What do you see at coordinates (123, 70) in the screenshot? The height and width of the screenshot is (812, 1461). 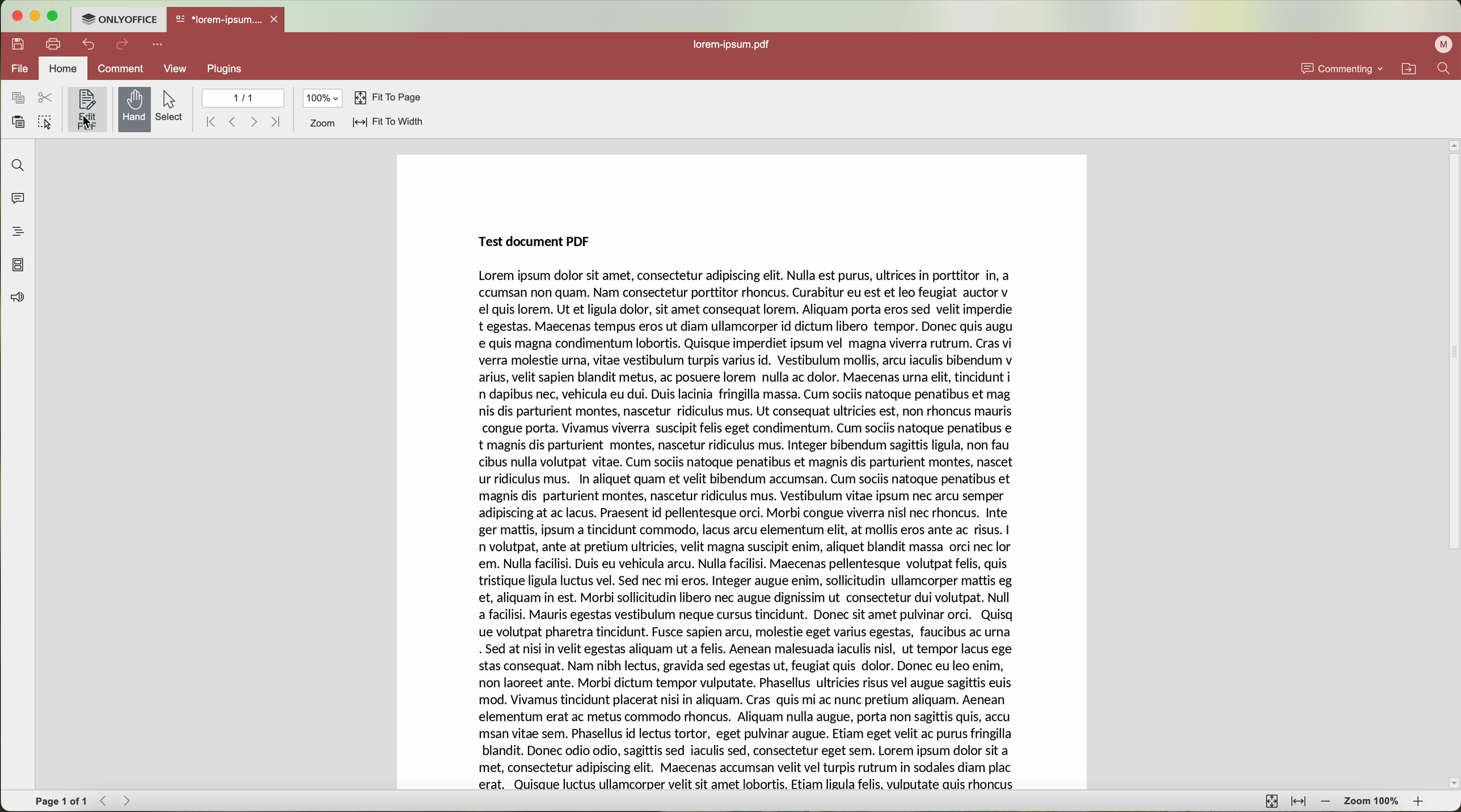 I see `comment` at bounding box center [123, 70].